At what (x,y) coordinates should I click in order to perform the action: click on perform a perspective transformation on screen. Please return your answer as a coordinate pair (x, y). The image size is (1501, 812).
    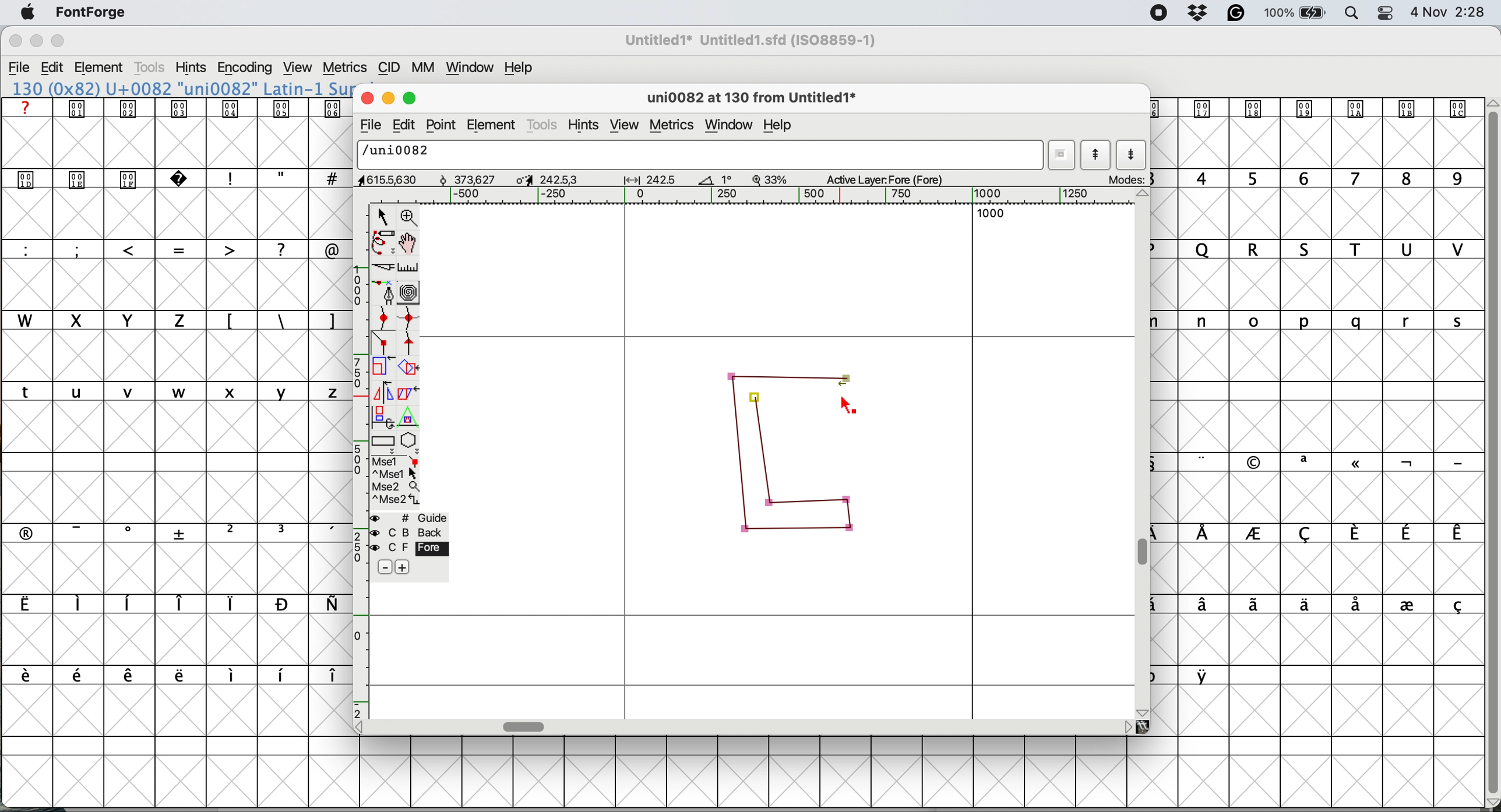
    Looking at the image, I should click on (410, 417).